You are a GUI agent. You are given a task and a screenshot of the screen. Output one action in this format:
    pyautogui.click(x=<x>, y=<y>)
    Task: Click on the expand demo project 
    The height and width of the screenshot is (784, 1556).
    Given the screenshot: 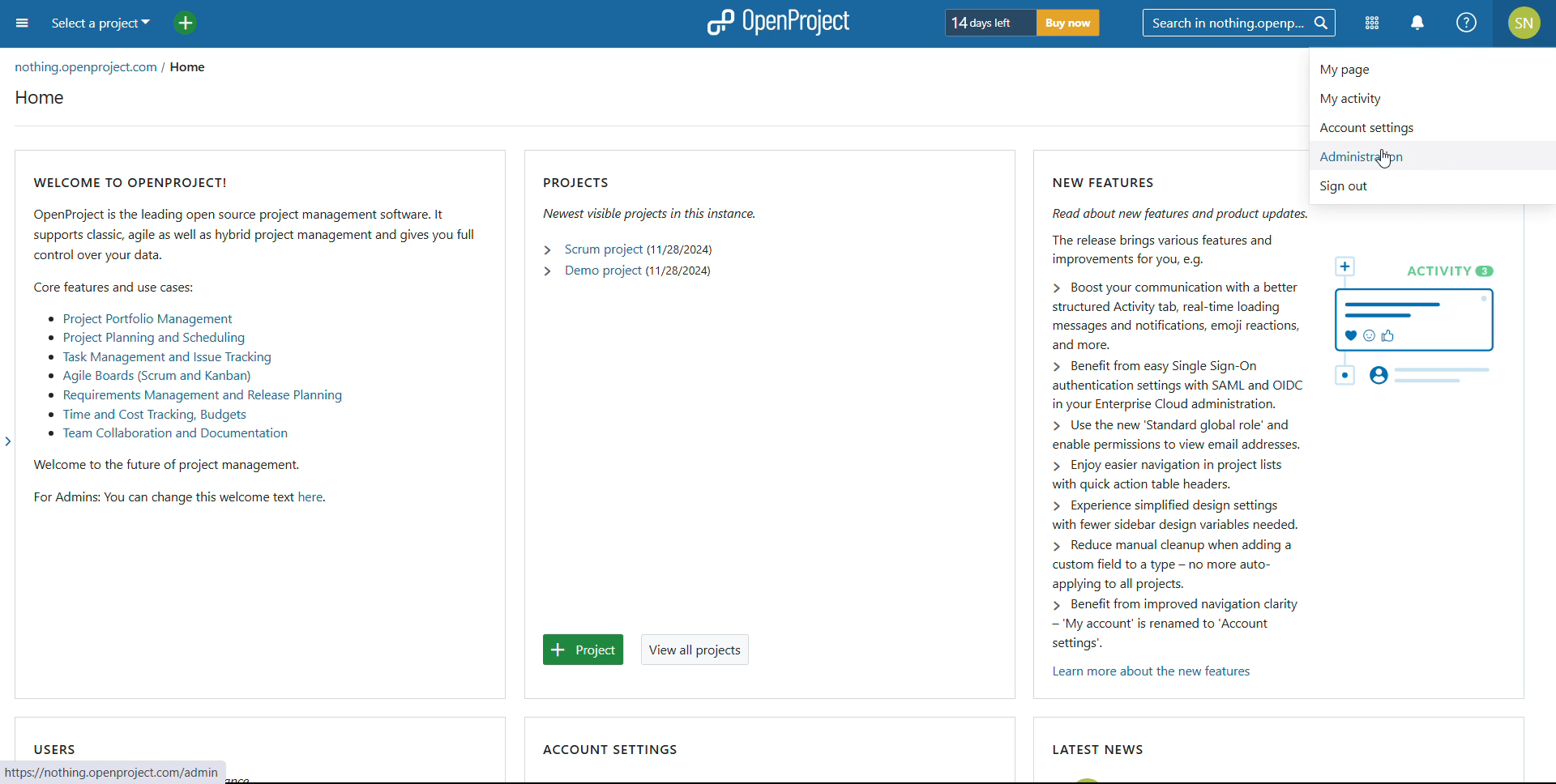 What is the action you would take?
    pyautogui.click(x=546, y=271)
    